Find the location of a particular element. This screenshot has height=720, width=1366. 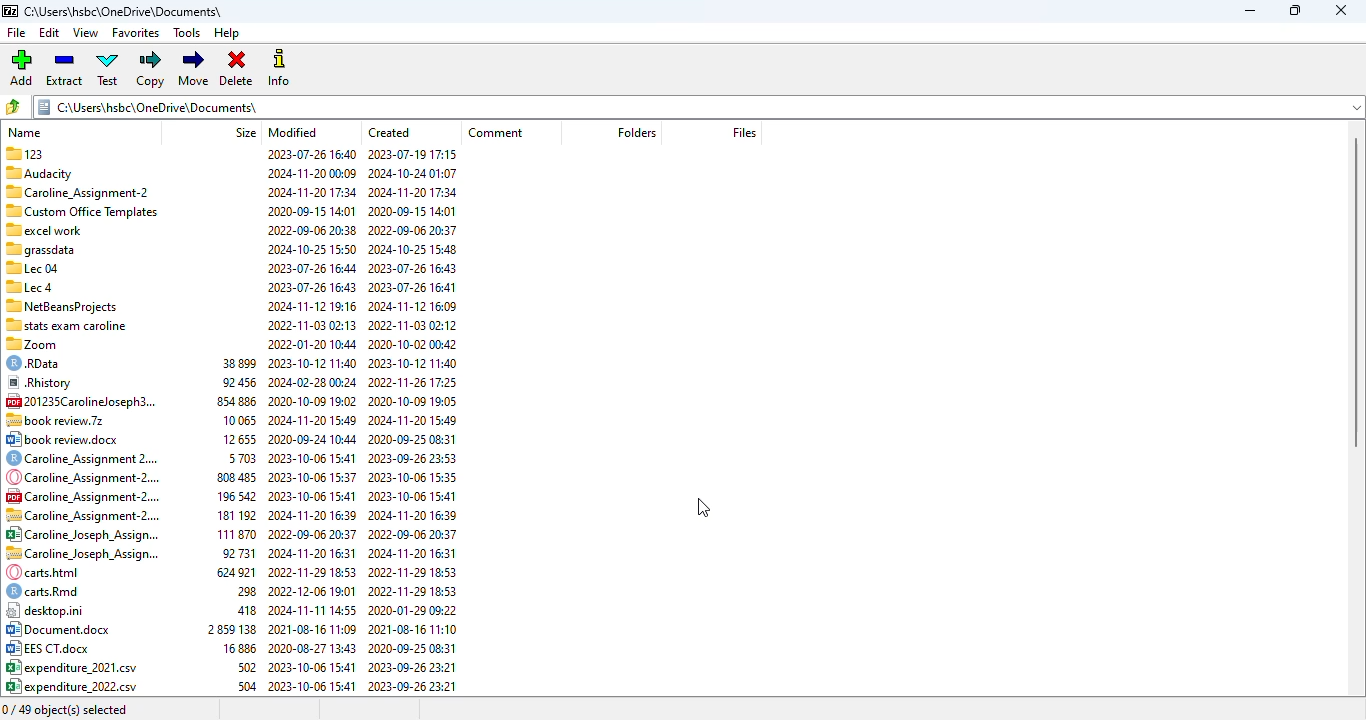

browse folders is located at coordinates (13, 107).